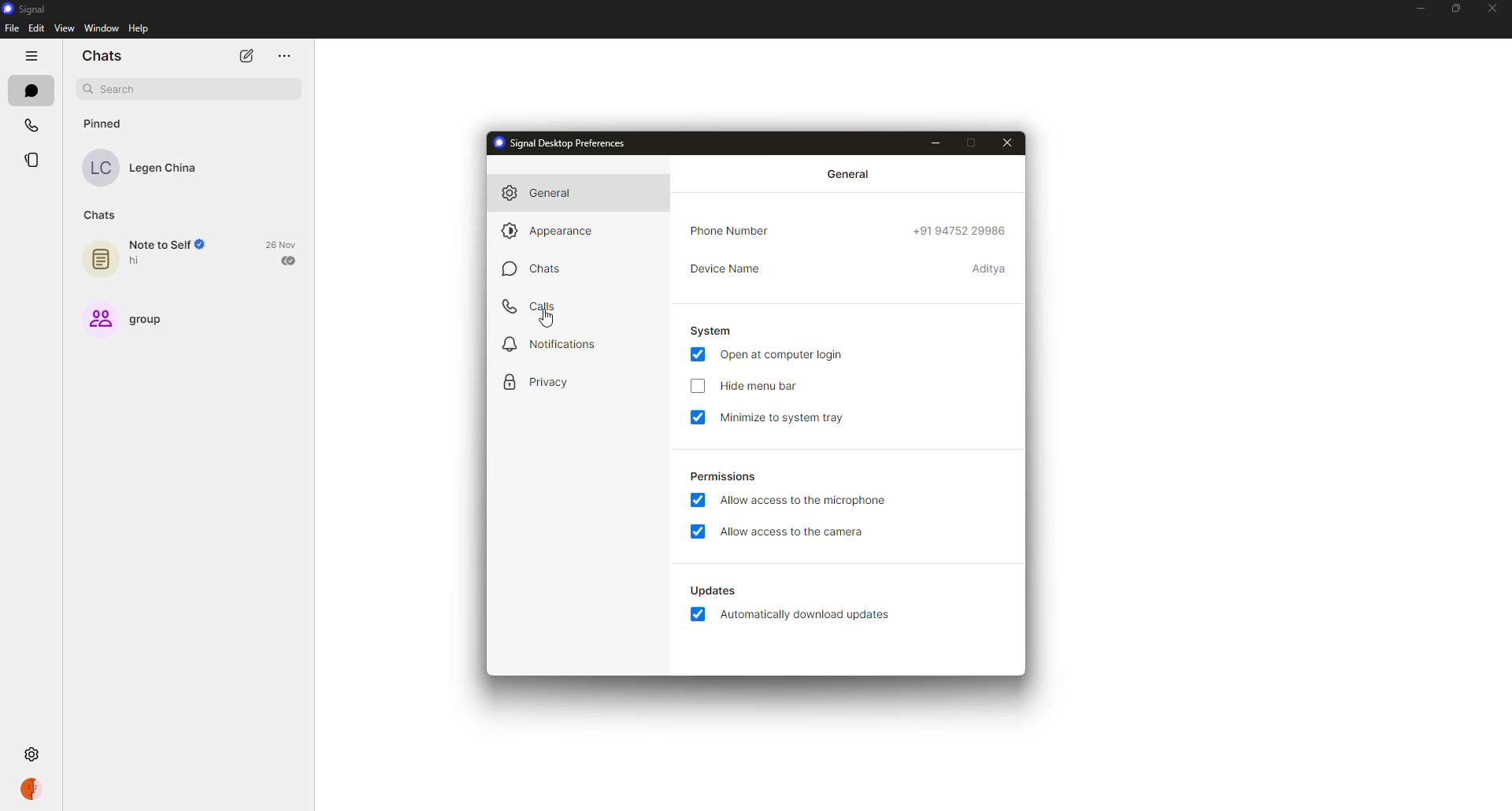 The image size is (1512, 811). What do you see at coordinates (1458, 8) in the screenshot?
I see `maximize` at bounding box center [1458, 8].